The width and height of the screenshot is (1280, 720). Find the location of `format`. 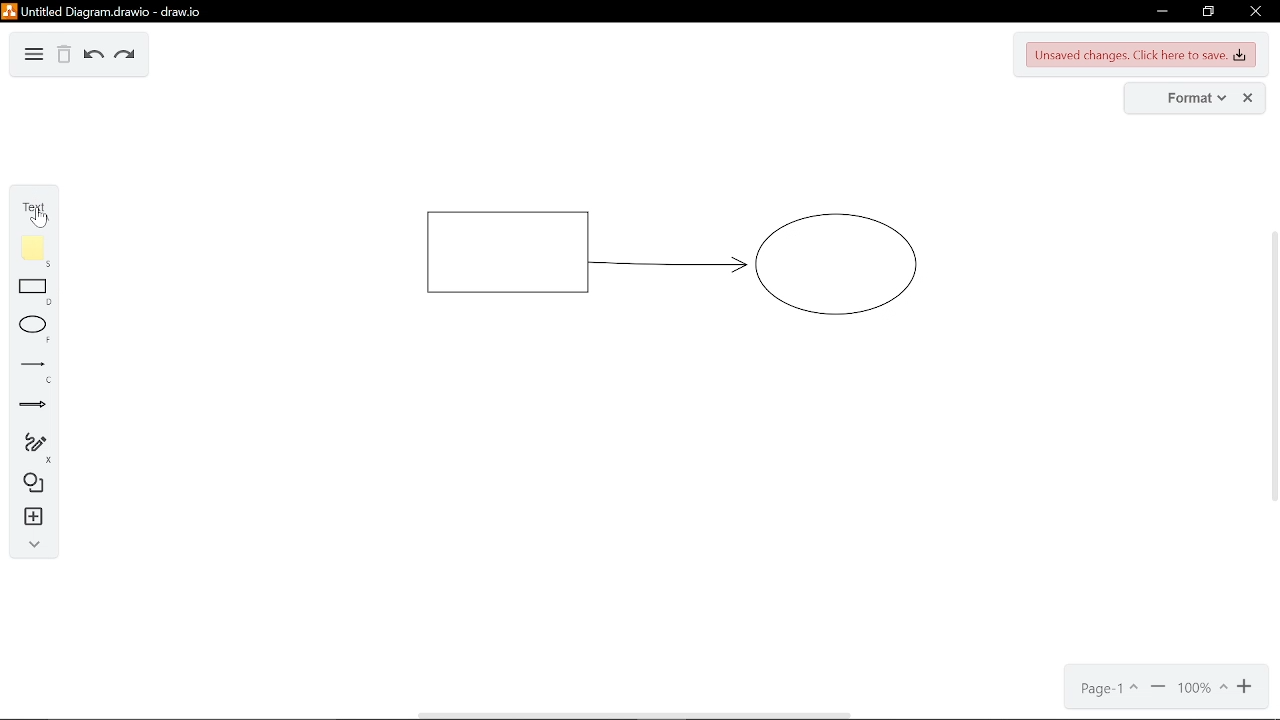

format is located at coordinates (1180, 98).